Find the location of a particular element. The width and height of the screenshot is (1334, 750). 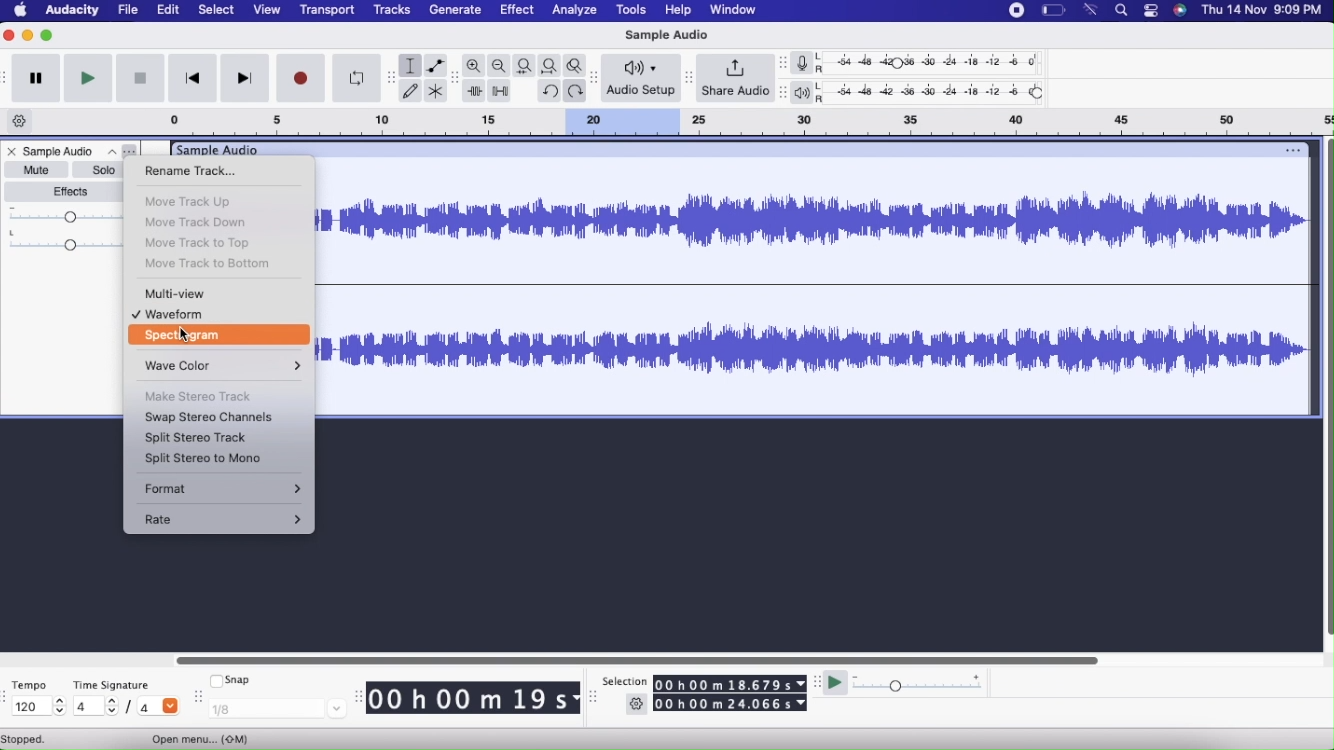

power is located at coordinates (1053, 11).